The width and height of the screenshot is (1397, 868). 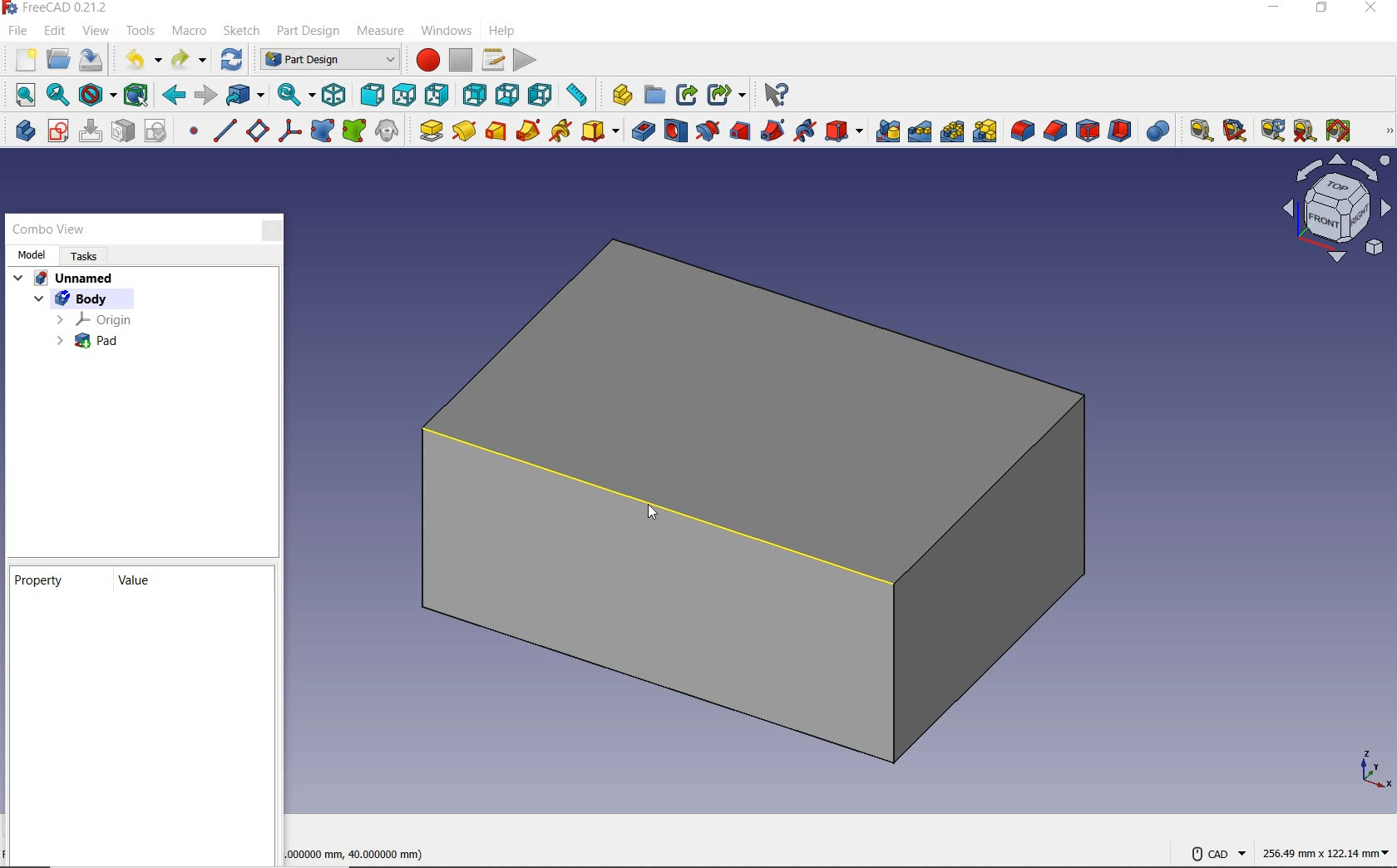 What do you see at coordinates (373, 94) in the screenshot?
I see `front` at bounding box center [373, 94].